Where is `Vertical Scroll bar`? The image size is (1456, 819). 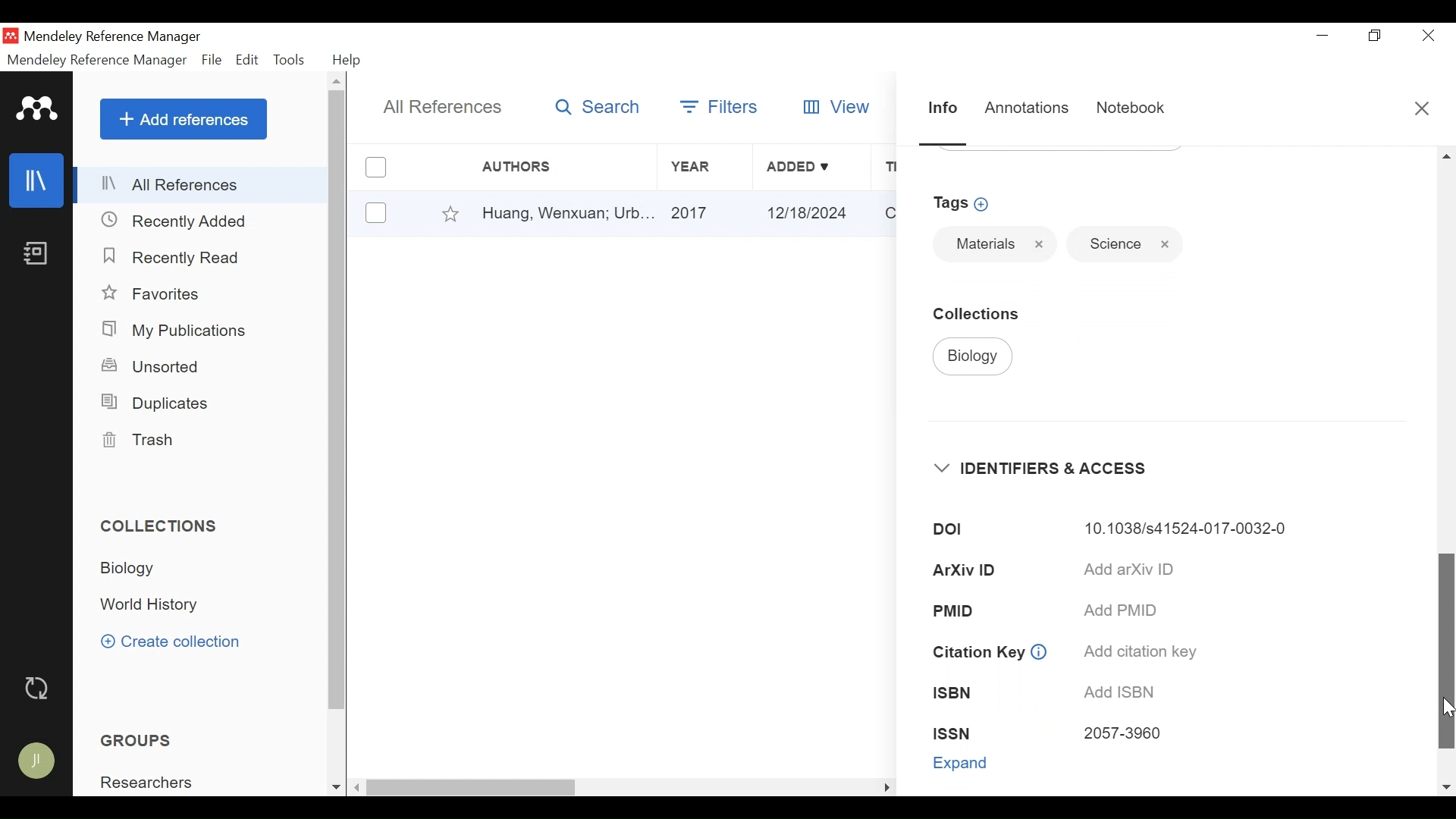
Vertical Scroll bar is located at coordinates (472, 788).